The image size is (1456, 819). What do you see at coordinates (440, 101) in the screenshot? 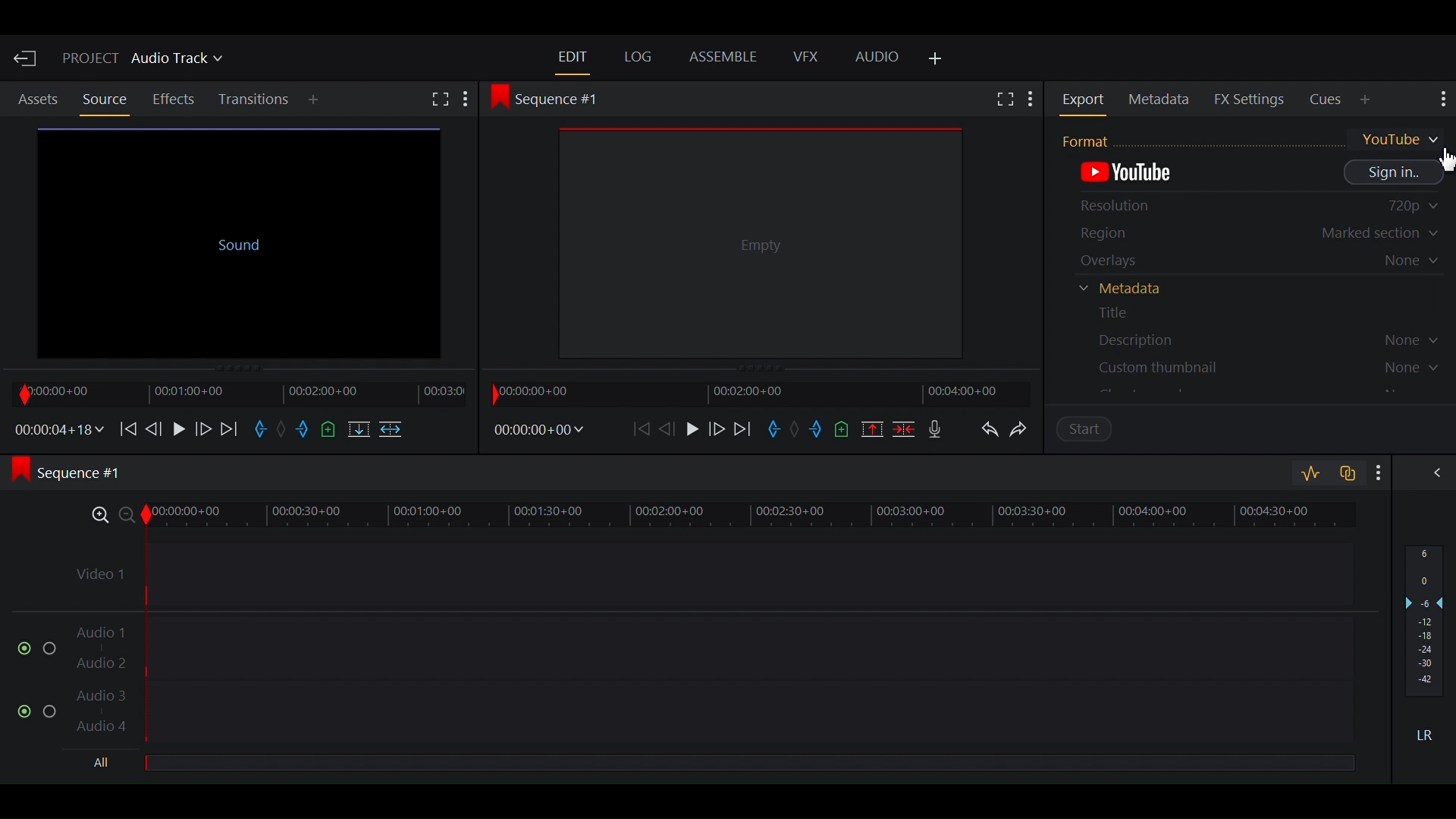
I see `Fullscreen` at bounding box center [440, 101].